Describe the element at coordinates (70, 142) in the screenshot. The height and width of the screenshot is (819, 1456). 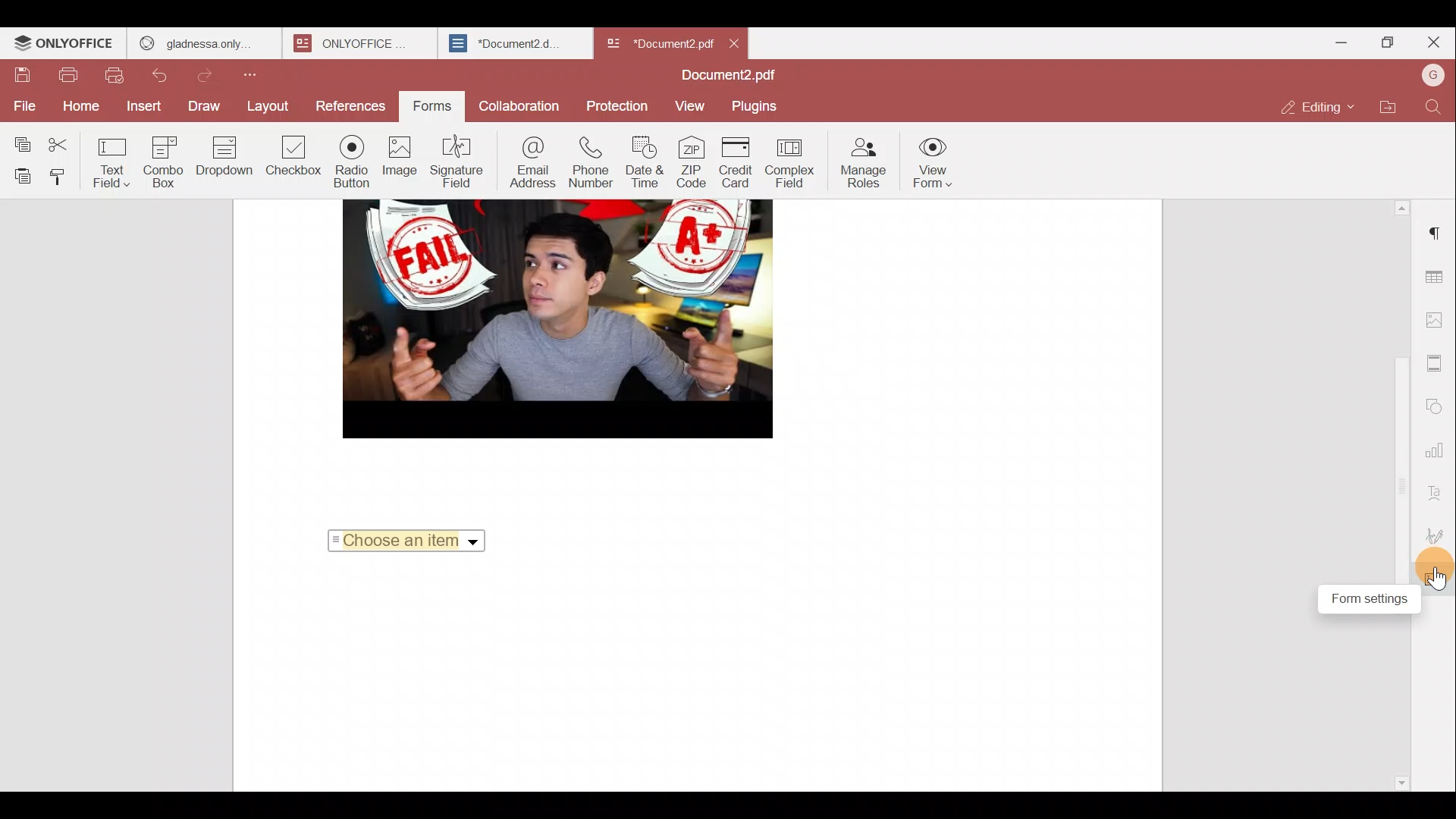
I see `Cut` at that location.